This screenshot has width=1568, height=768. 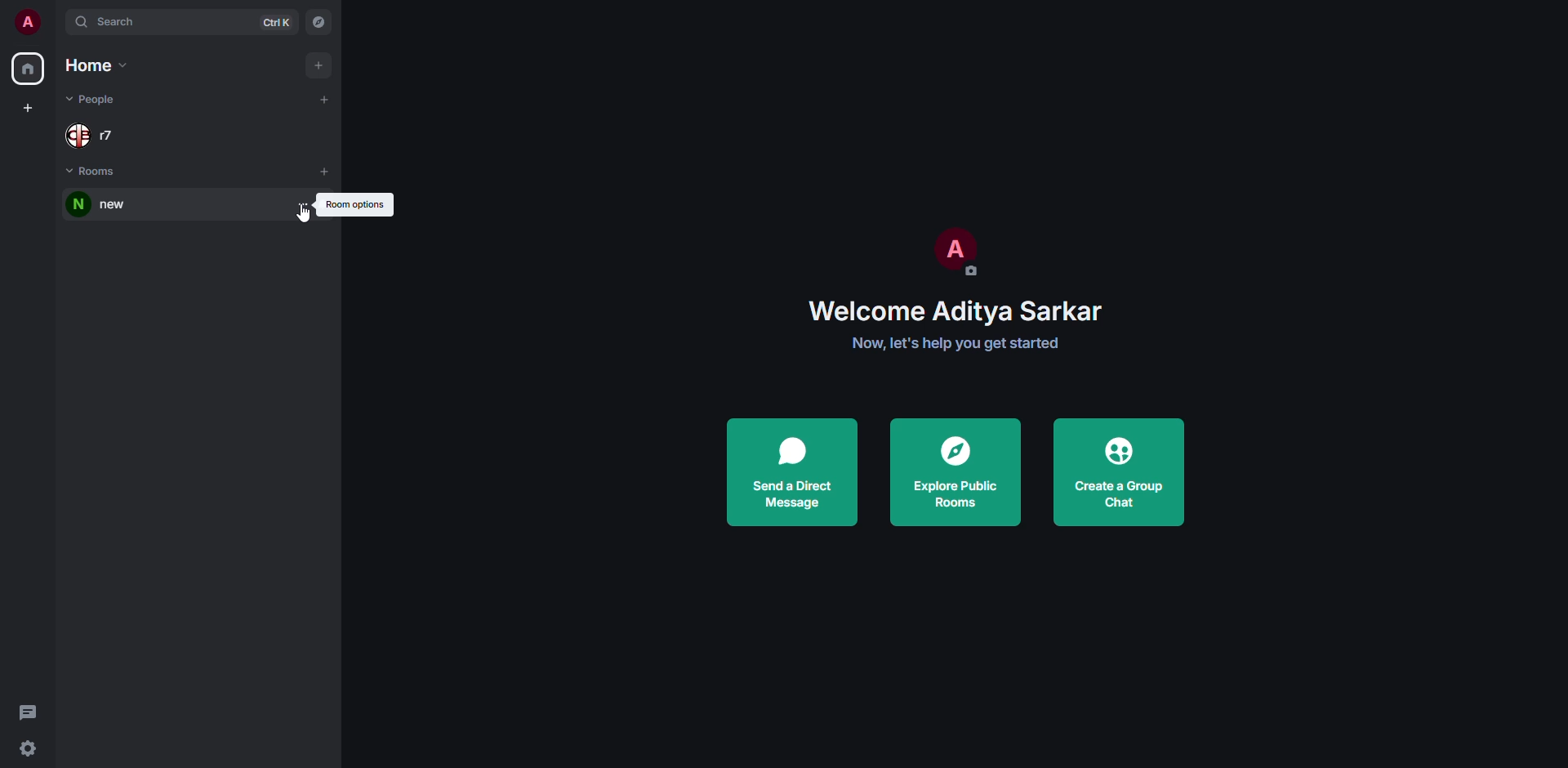 What do you see at coordinates (794, 468) in the screenshot?
I see `send direct message` at bounding box center [794, 468].